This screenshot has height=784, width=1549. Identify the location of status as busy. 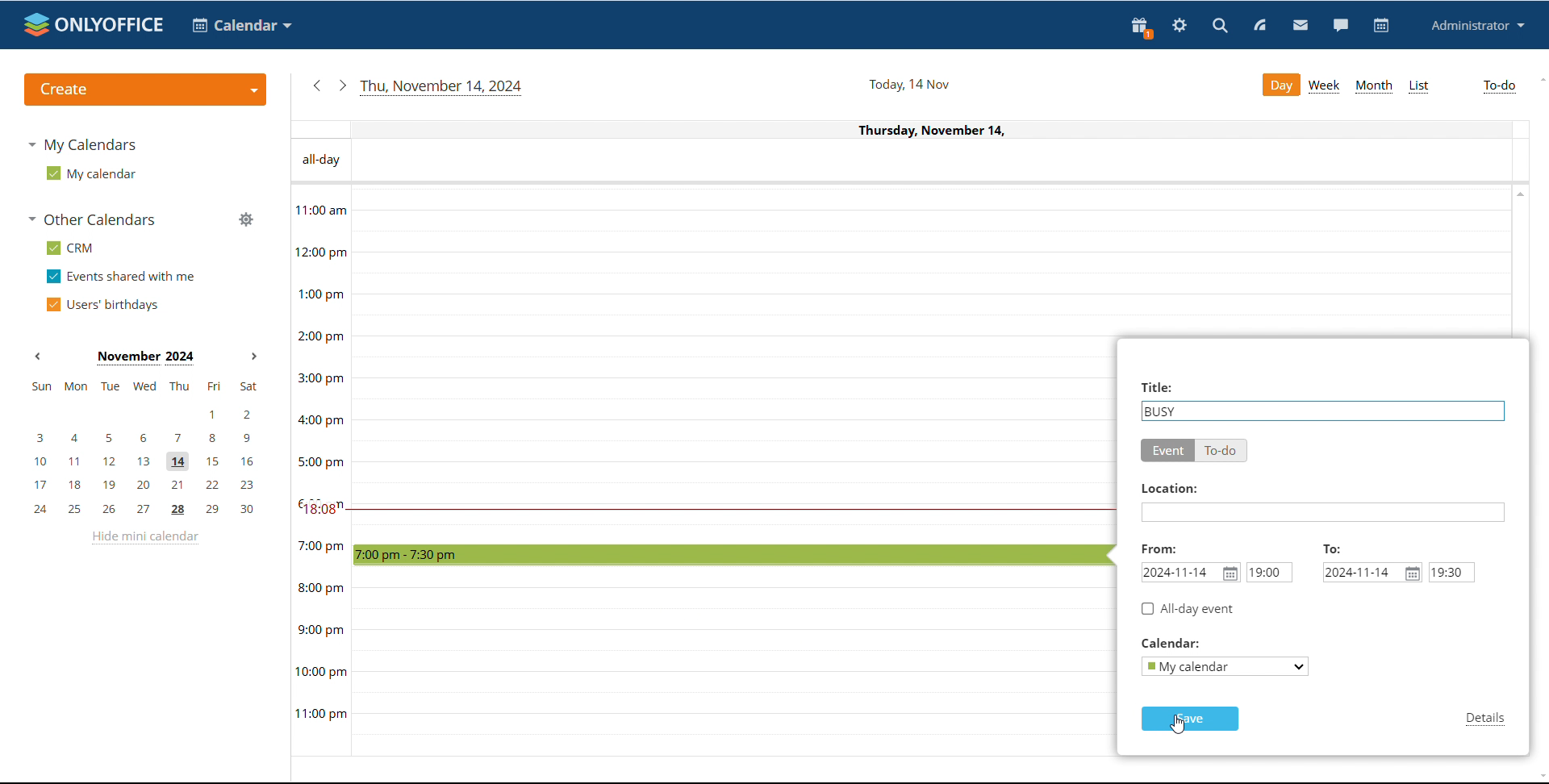
(1159, 411).